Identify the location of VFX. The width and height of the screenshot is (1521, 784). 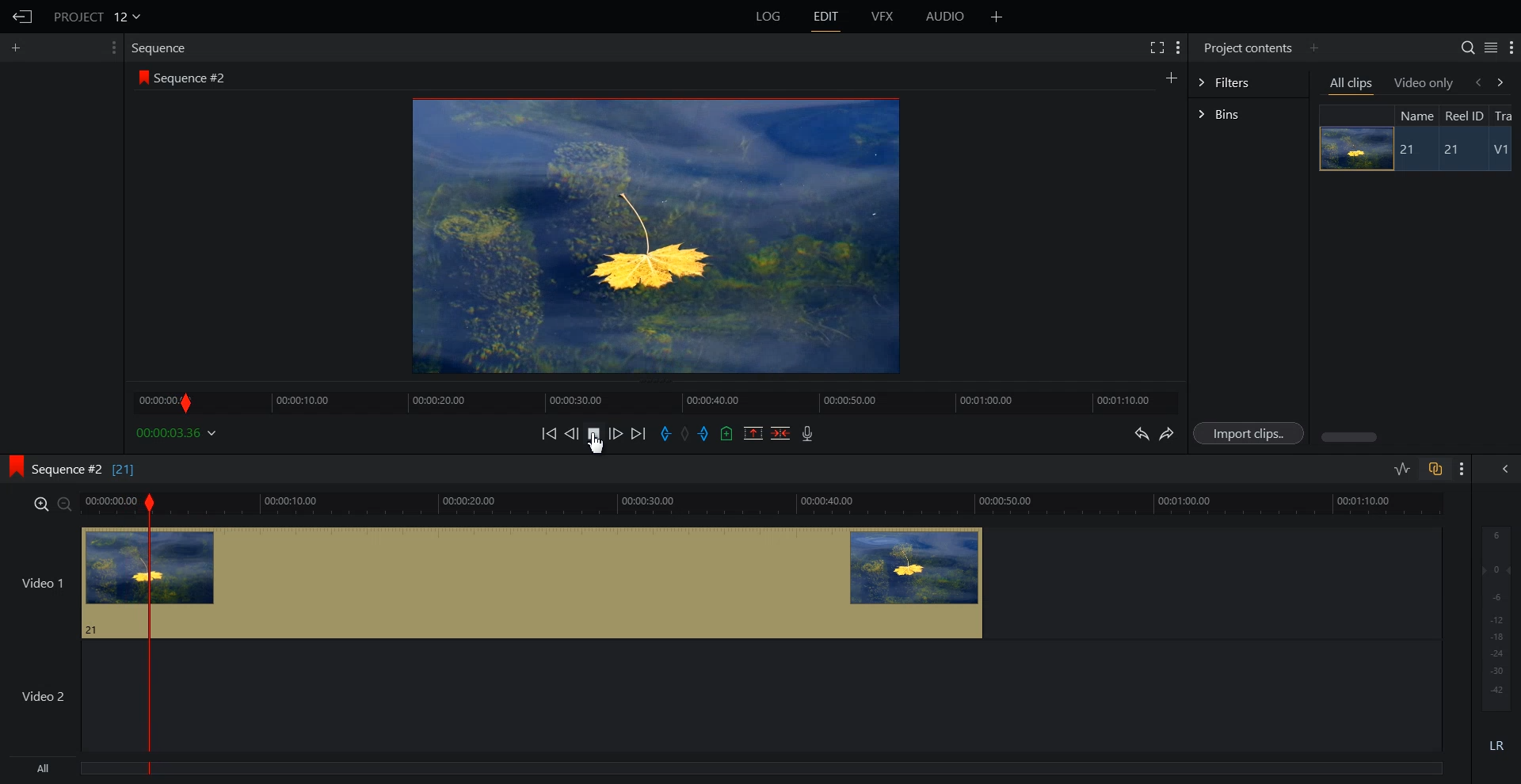
(883, 17).